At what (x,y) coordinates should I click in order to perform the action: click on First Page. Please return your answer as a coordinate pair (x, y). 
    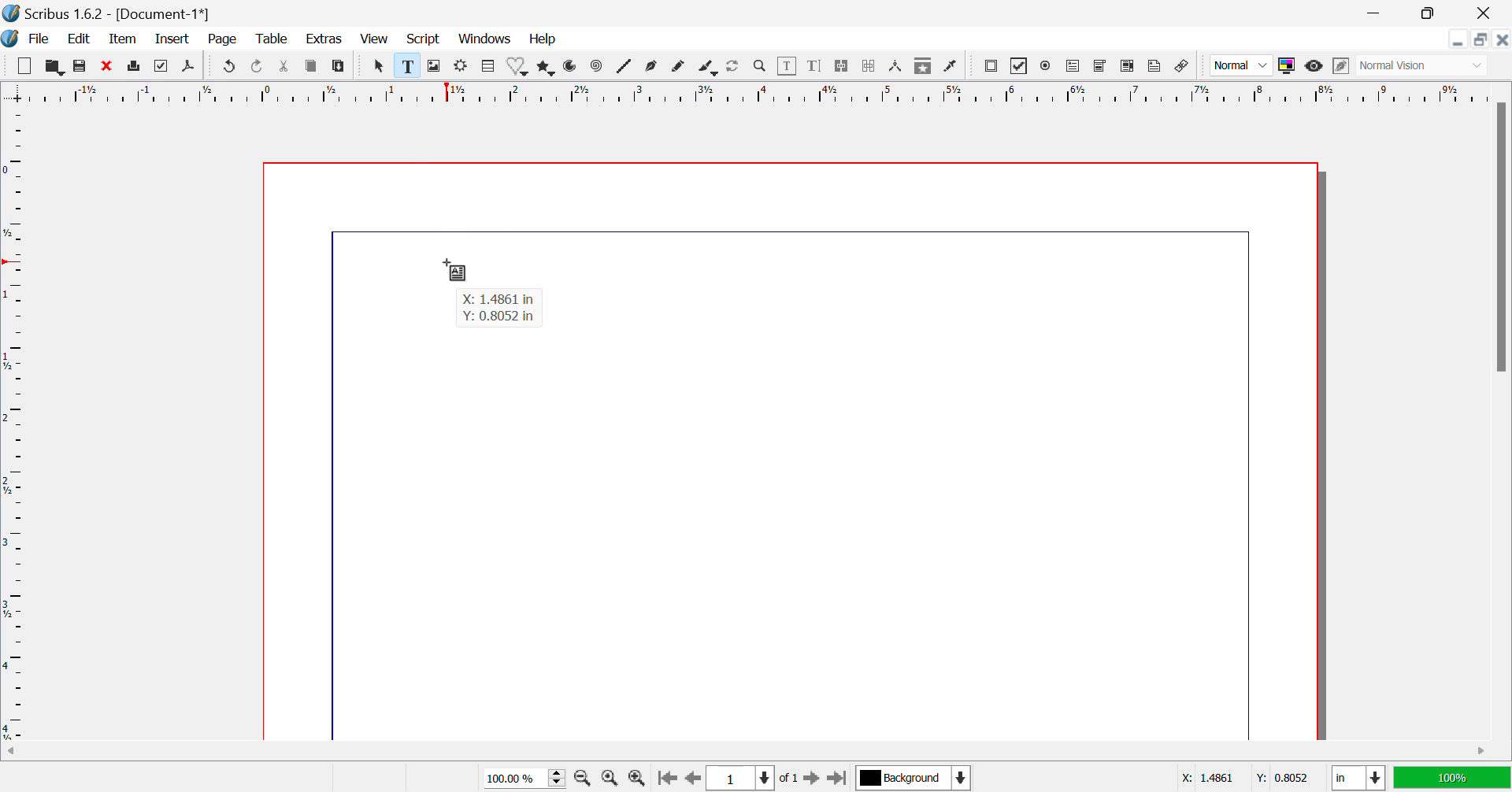
    Looking at the image, I should click on (666, 778).